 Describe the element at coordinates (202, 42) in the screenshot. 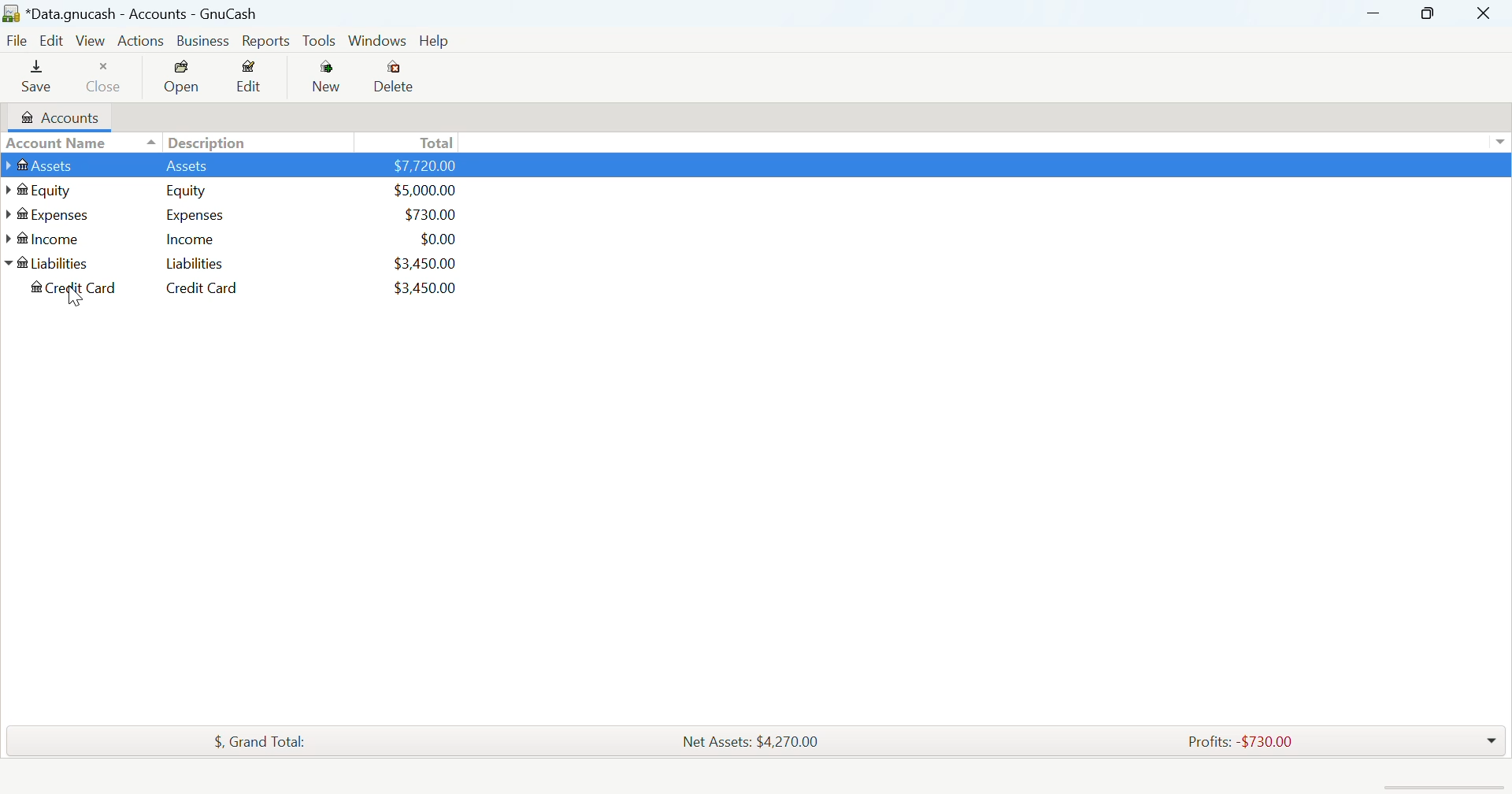

I see `Business` at that location.